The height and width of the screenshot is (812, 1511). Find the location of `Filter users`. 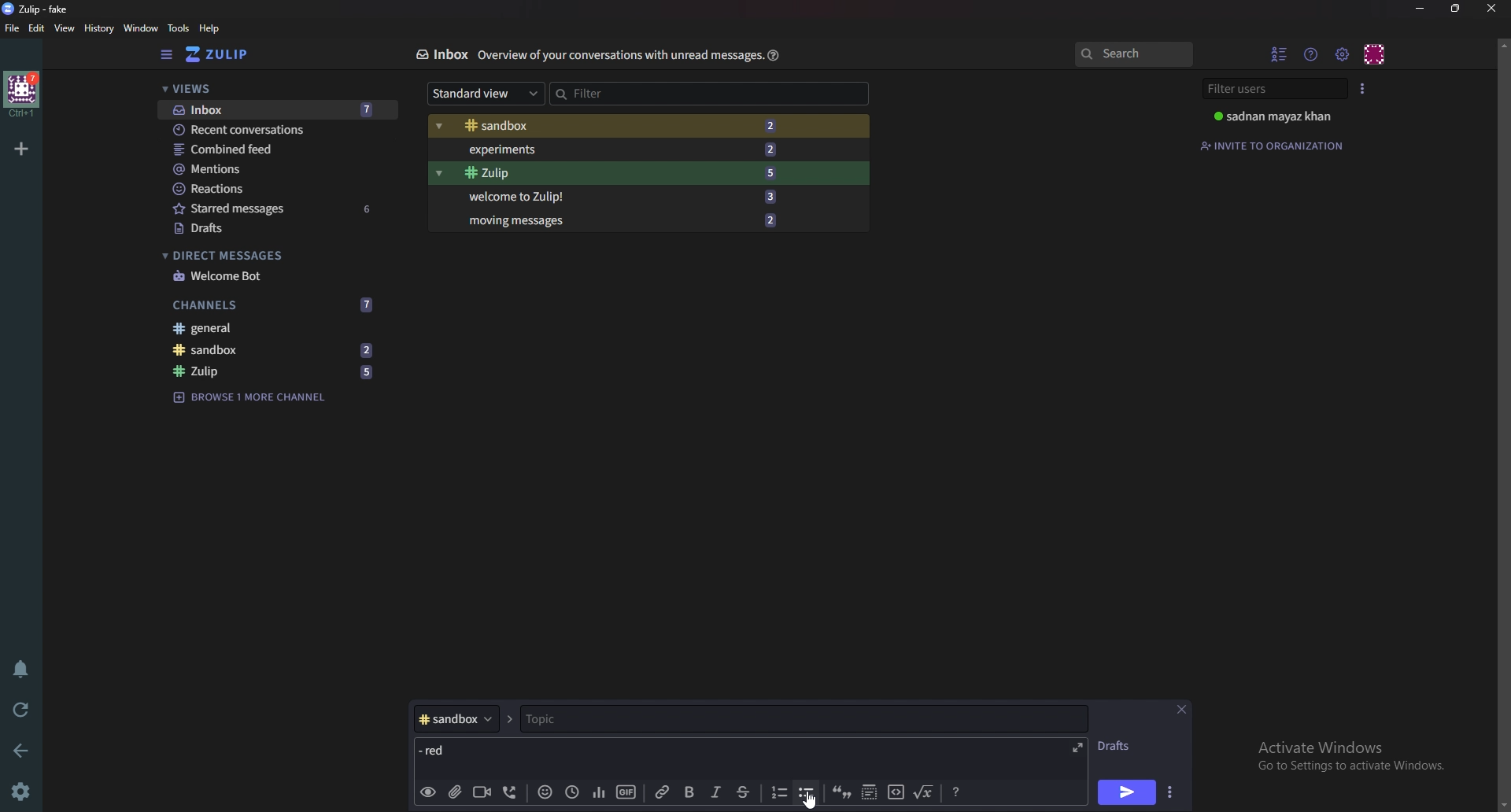

Filter users is located at coordinates (1277, 89).